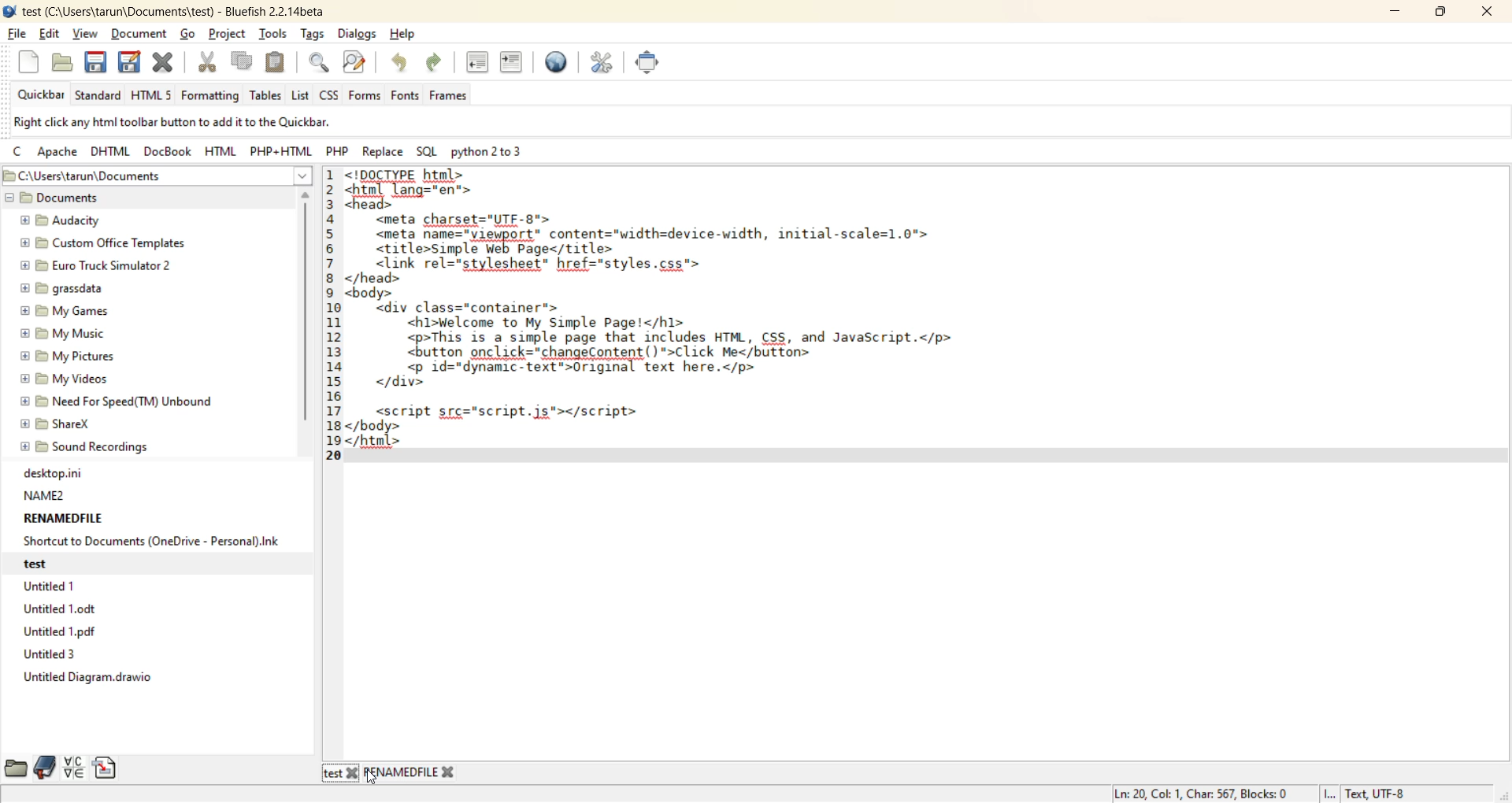 The height and width of the screenshot is (803, 1512). I want to click on sound recordings, so click(102, 450).